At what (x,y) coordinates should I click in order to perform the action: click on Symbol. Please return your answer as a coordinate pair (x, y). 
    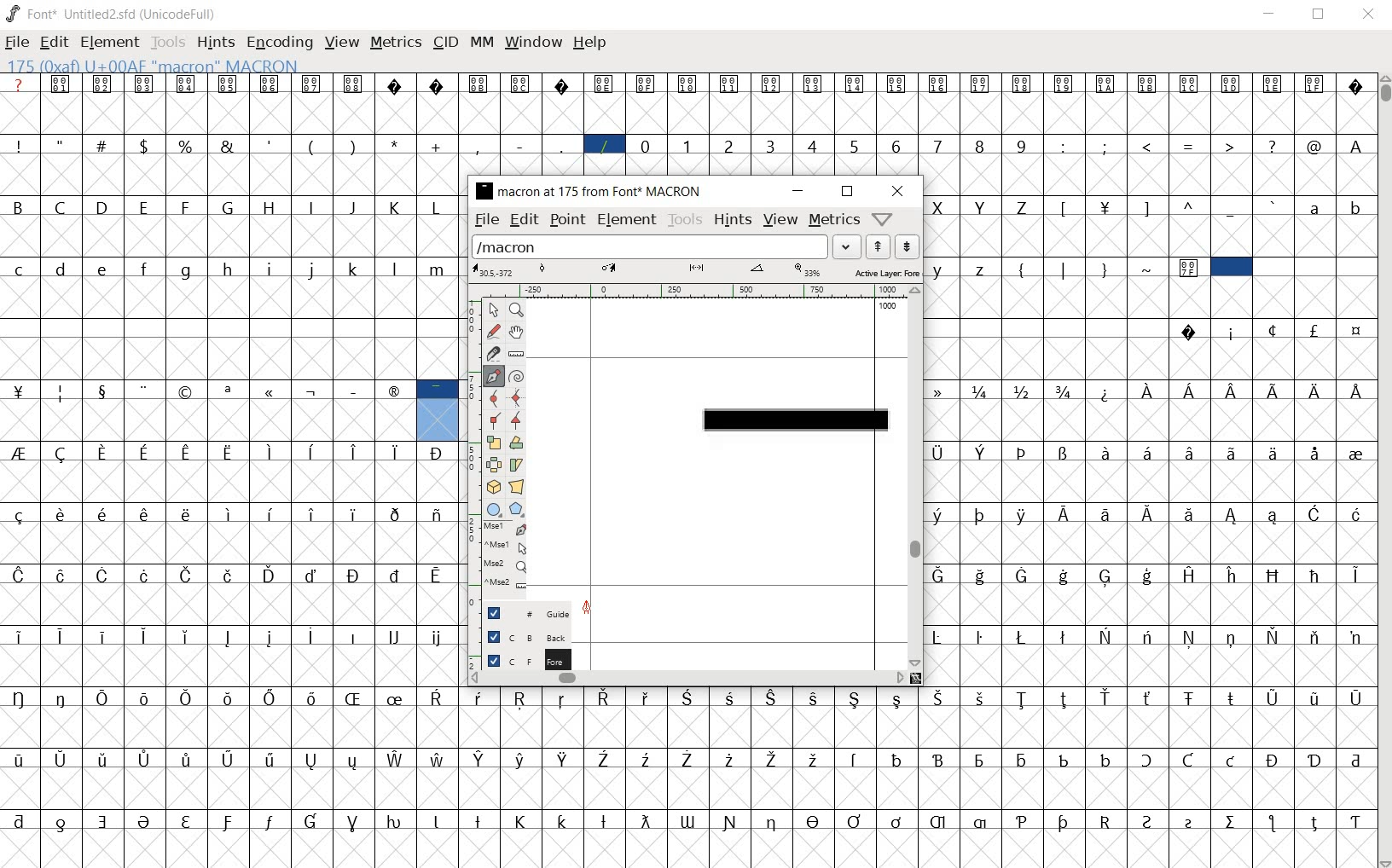
    Looking at the image, I should click on (312, 635).